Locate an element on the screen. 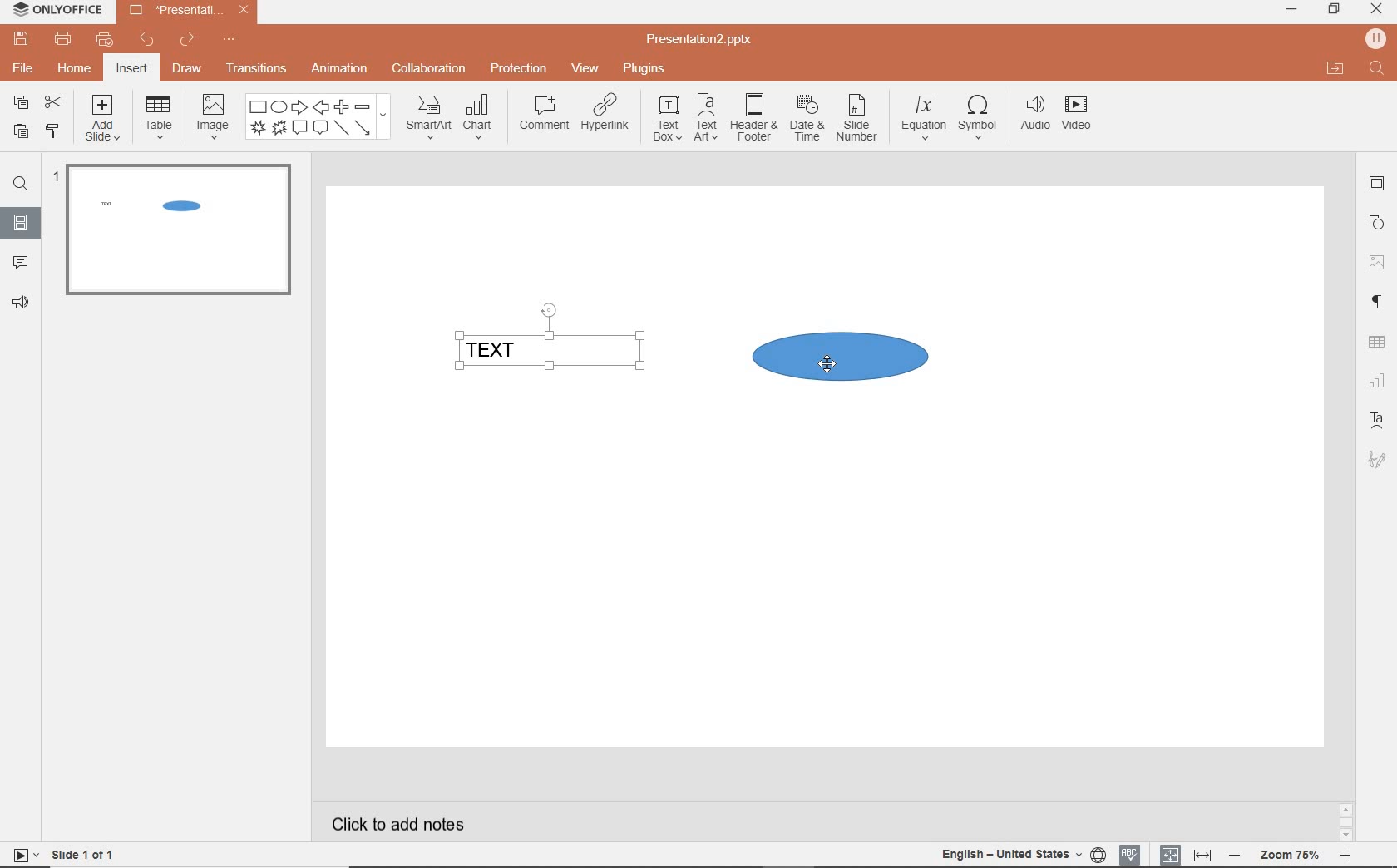  COMMENTS is located at coordinates (19, 259).